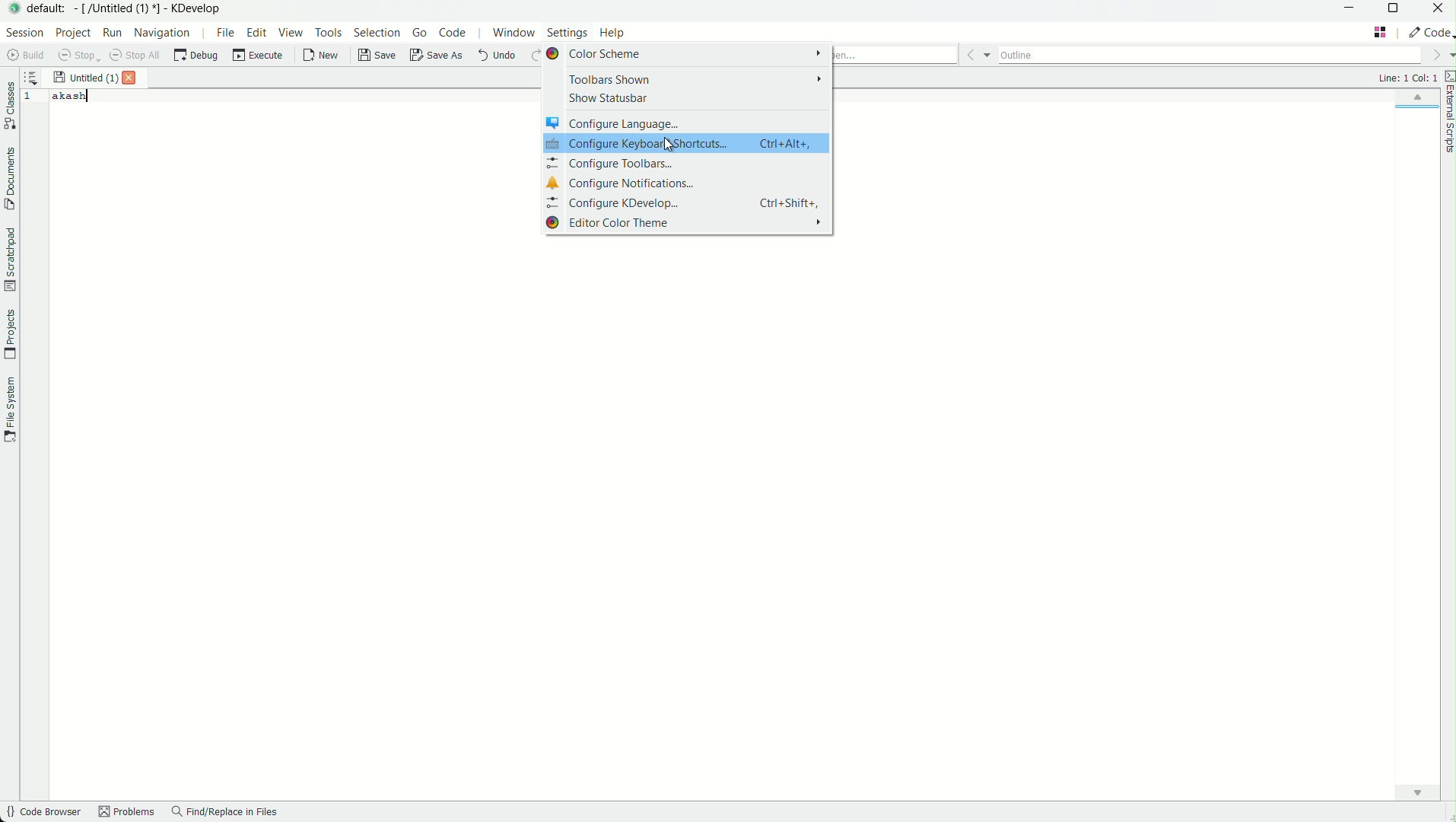 This screenshot has height=822, width=1456. What do you see at coordinates (1407, 78) in the screenshot?
I see `cursor positions` at bounding box center [1407, 78].